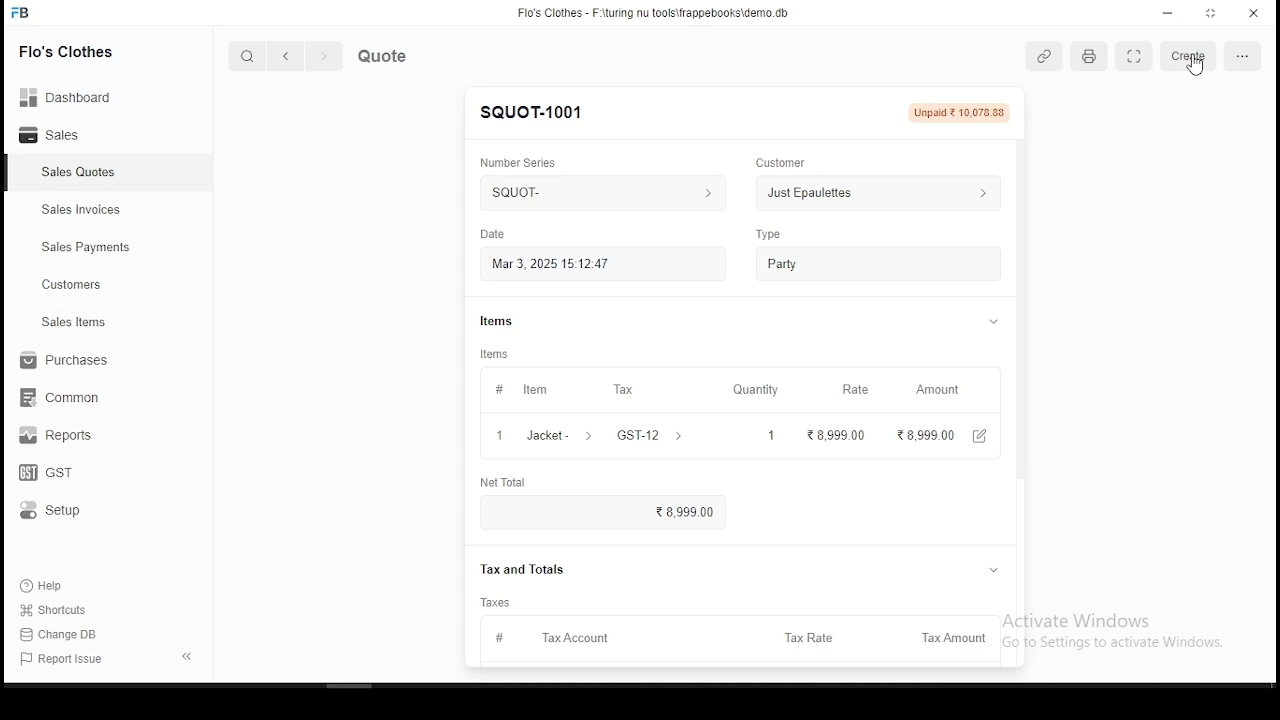 The image size is (1280, 720). I want to click on date, so click(495, 232).